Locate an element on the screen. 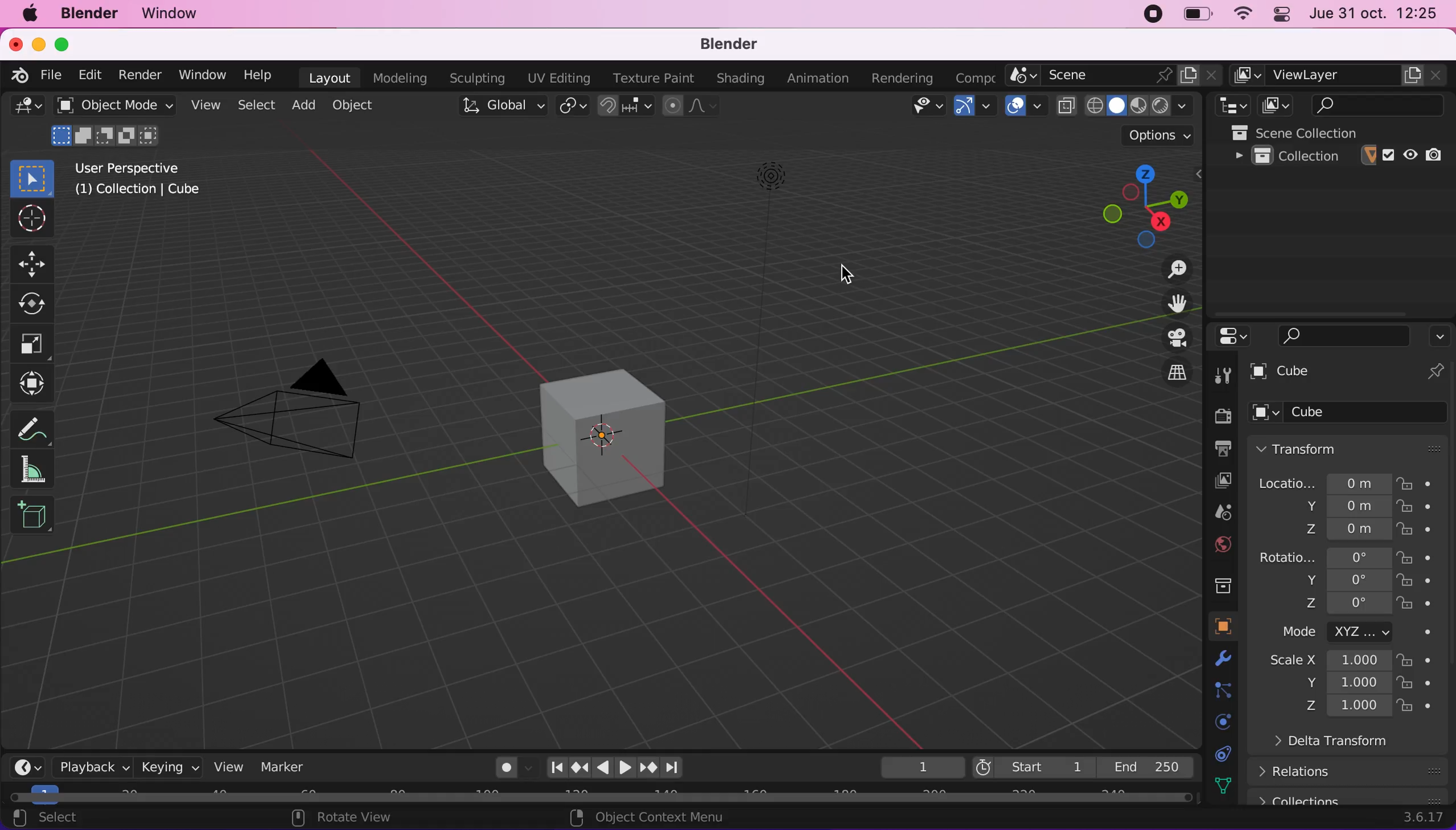 The height and width of the screenshot is (830, 1456). scale x 1.000 is located at coordinates (1323, 662).